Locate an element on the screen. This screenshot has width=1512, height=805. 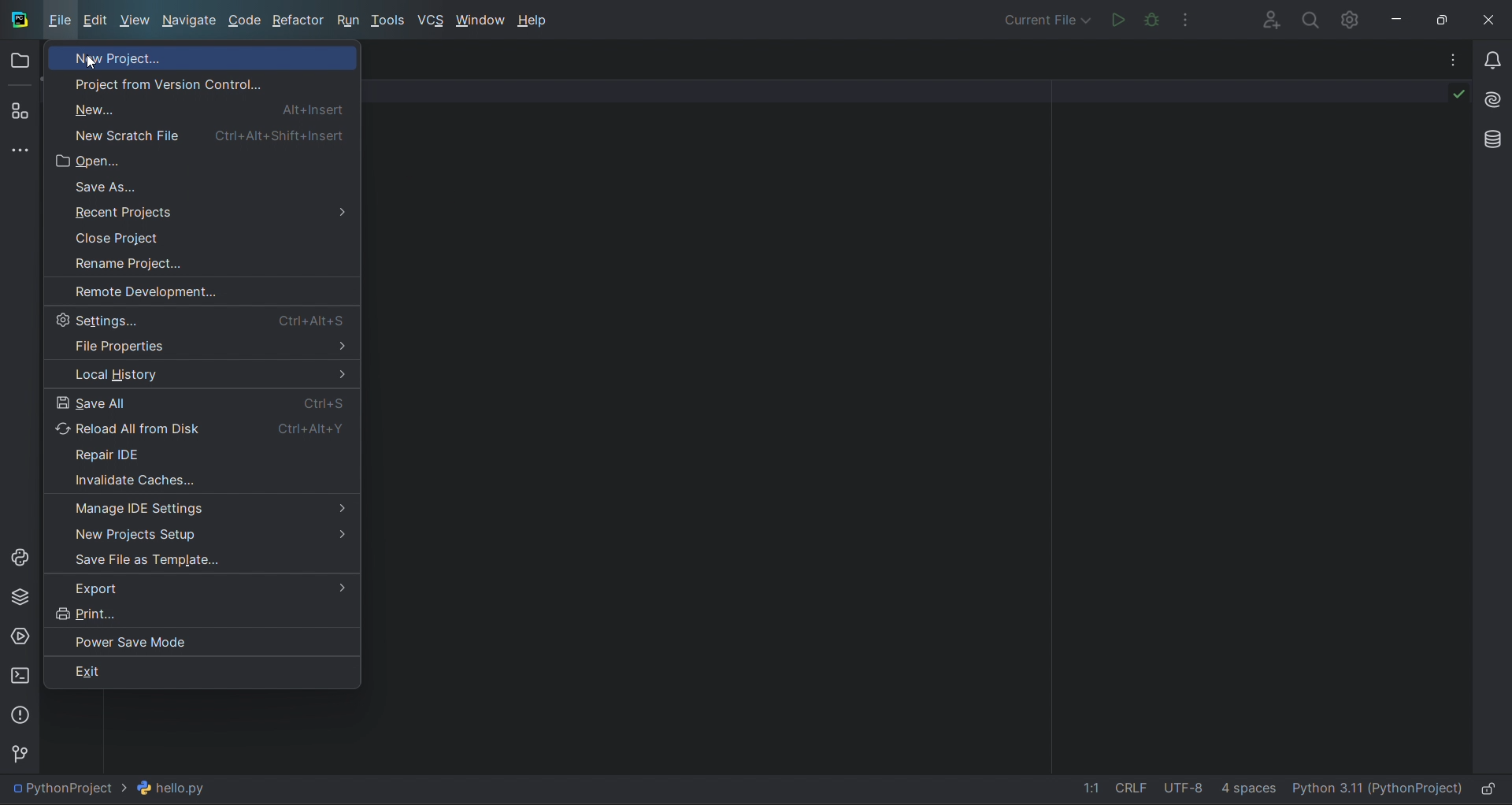
current file is located at coordinates (117, 788).